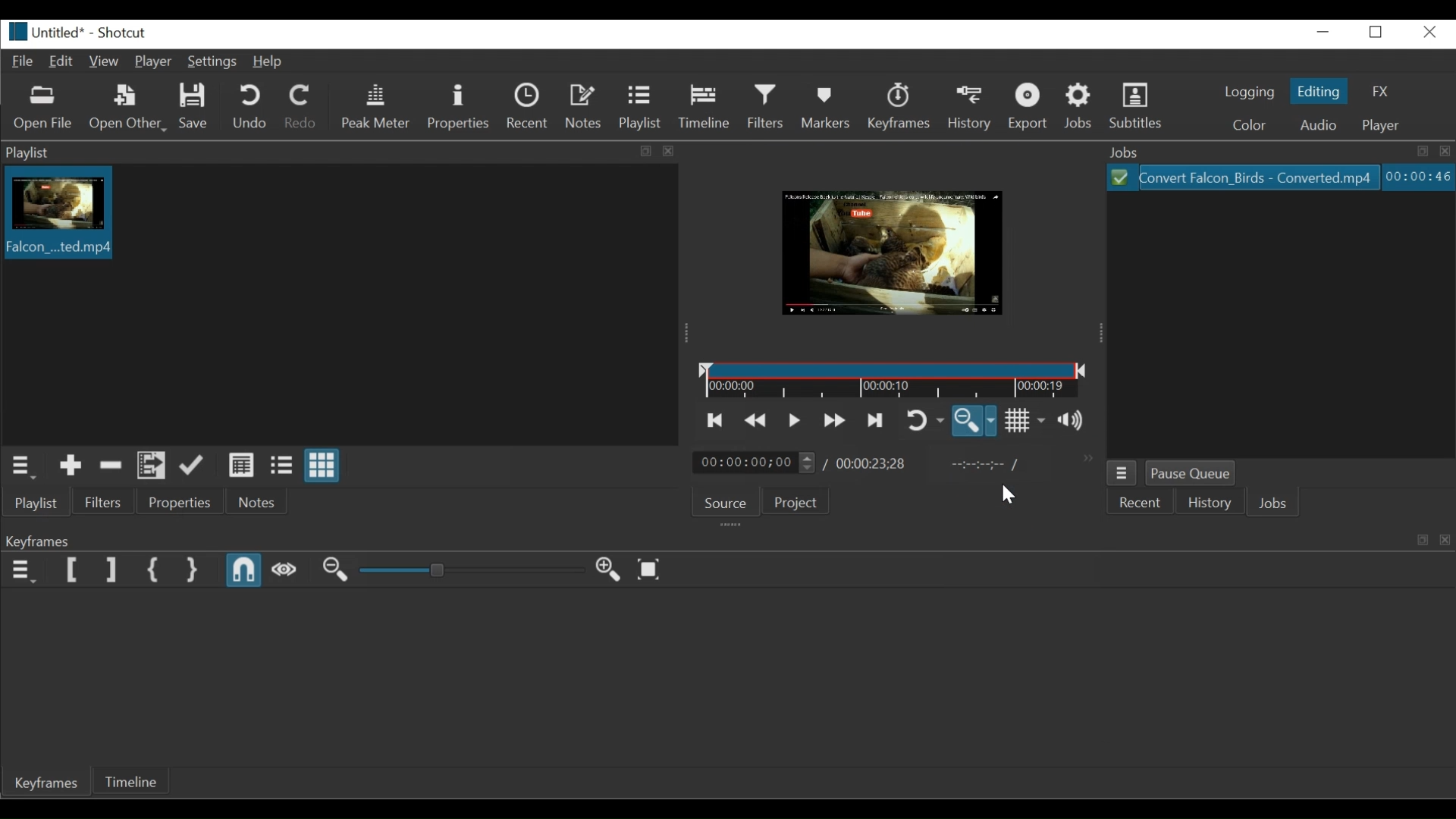  Describe the element at coordinates (984, 461) in the screenshot. I see `in point` at that location.